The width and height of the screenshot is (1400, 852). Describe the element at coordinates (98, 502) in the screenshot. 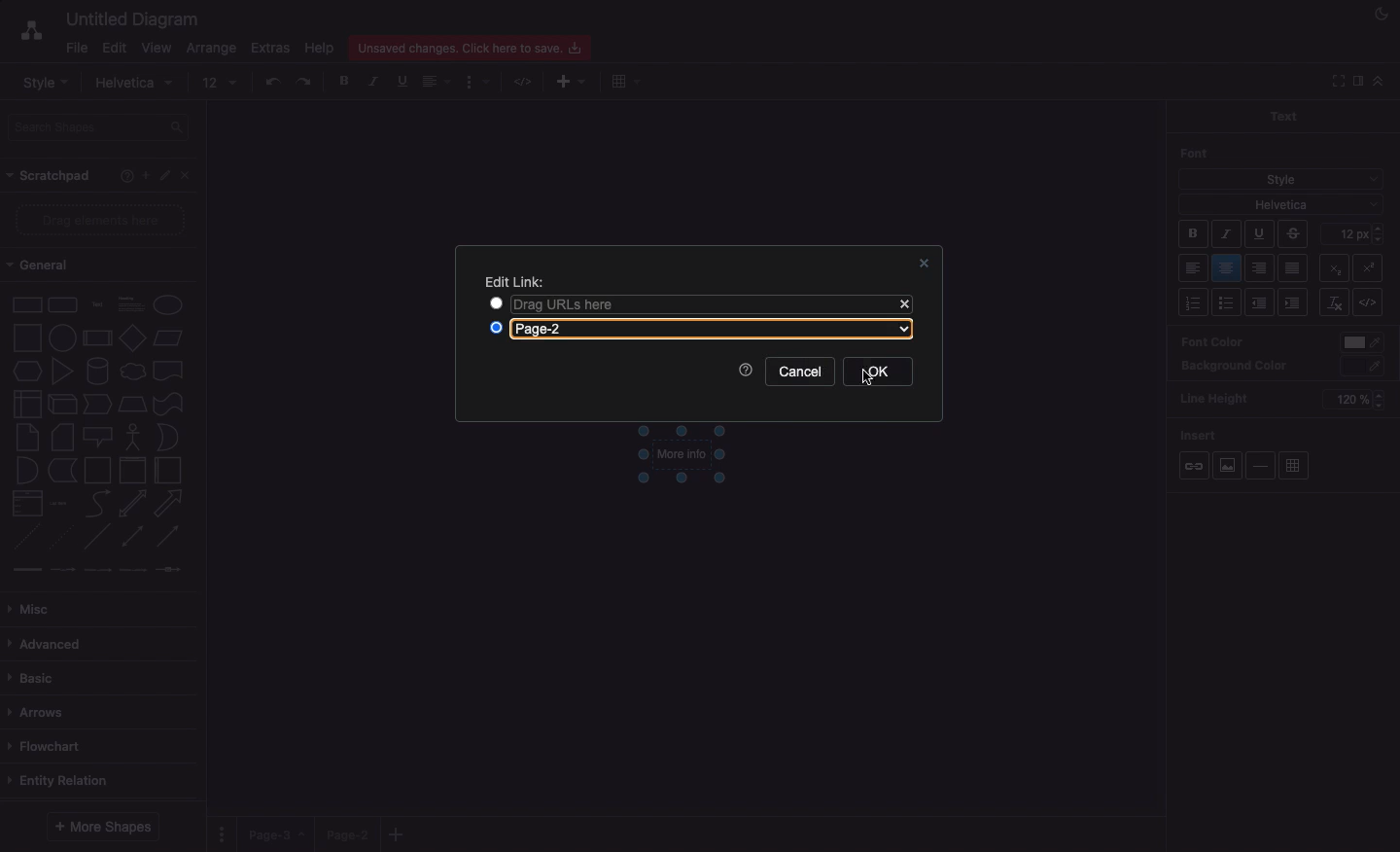

I see `curve` at that location.